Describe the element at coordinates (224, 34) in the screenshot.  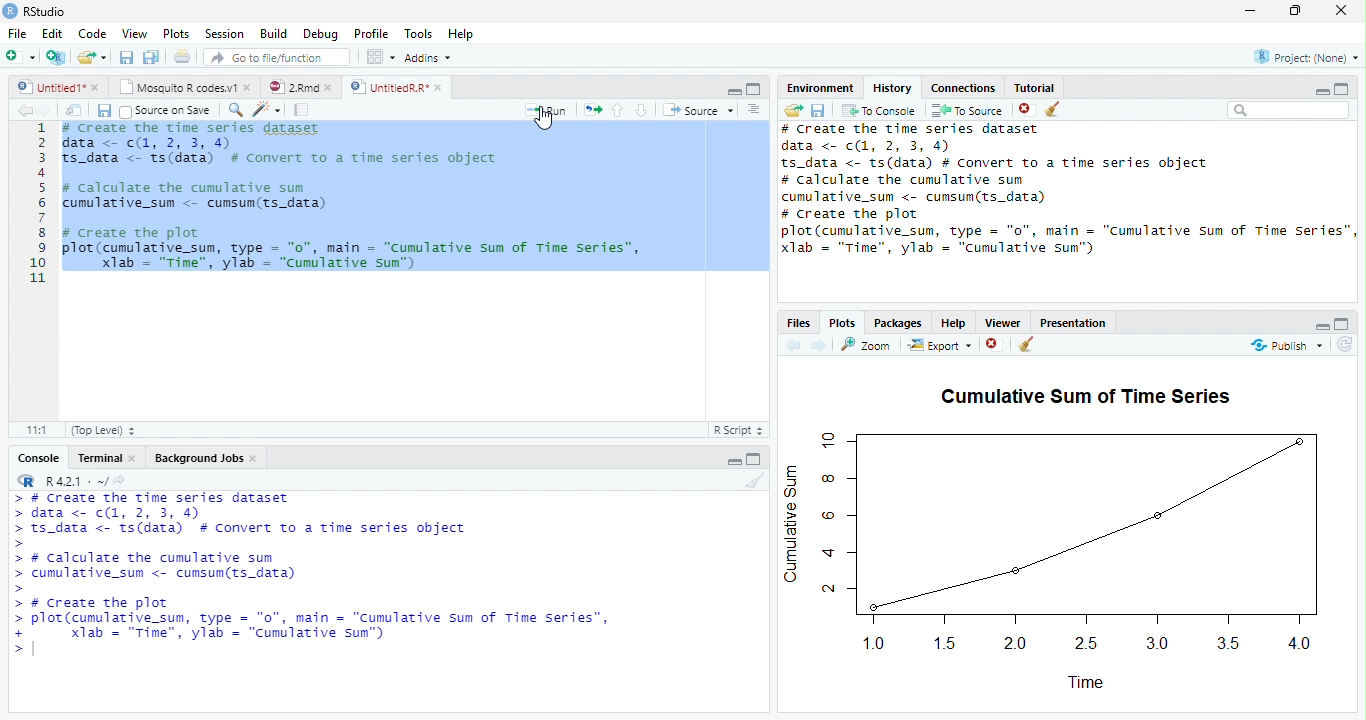
I see `Session` at that location.